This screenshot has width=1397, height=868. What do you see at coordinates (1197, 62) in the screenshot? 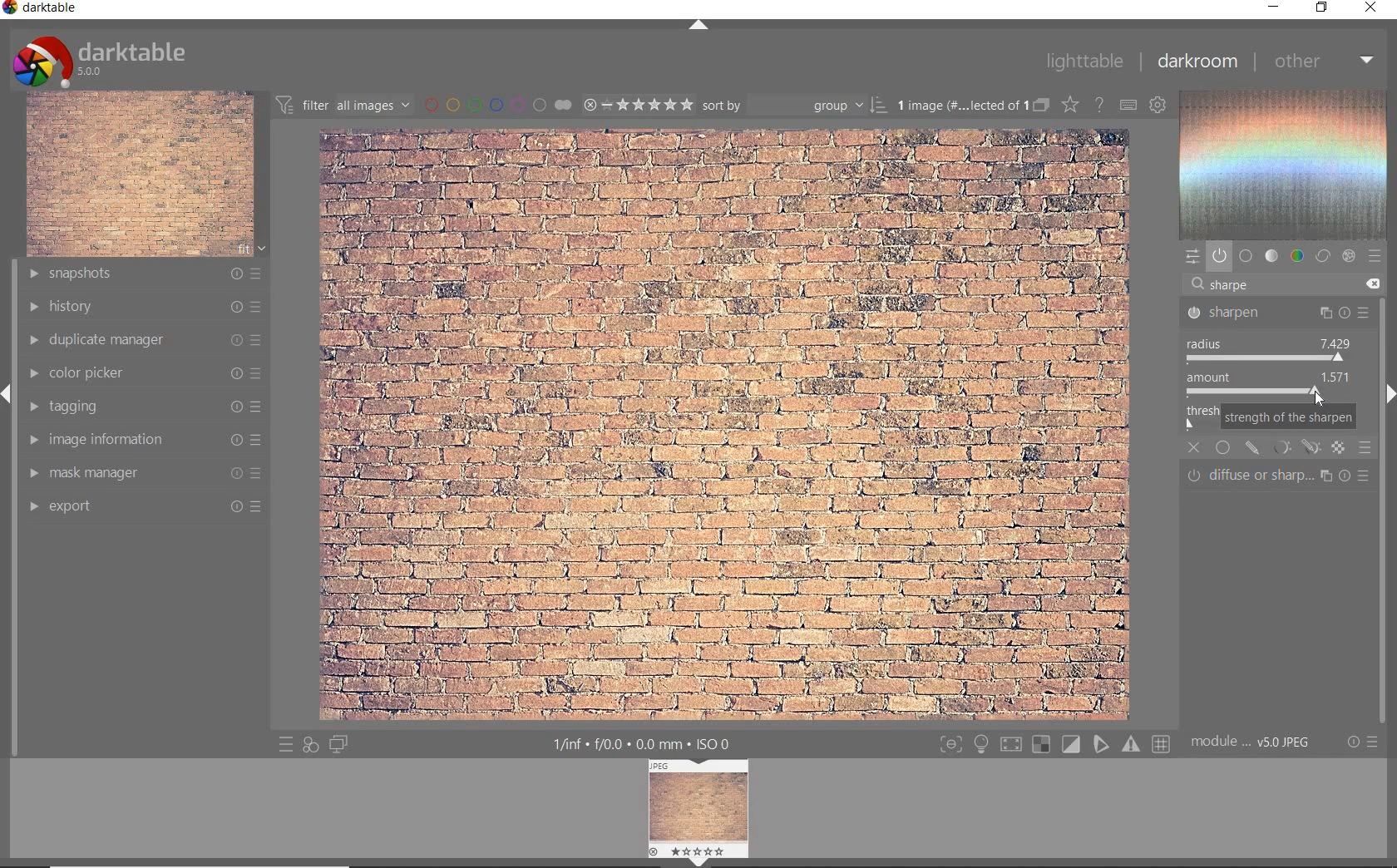
I see `darkroom` at bounding box center [1197, 62].